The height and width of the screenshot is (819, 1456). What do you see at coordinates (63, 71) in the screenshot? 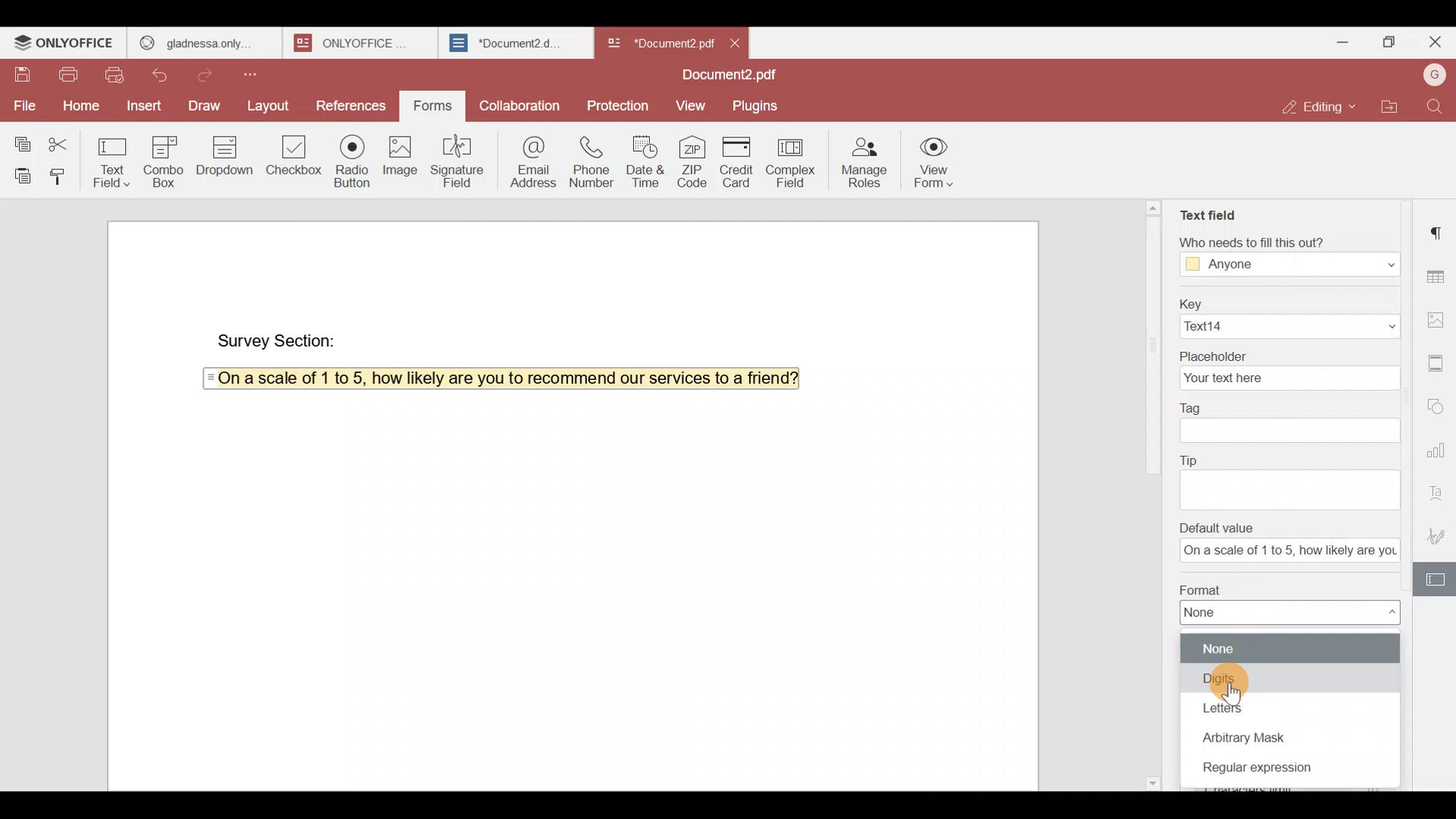
I see `Print file` at bounding box center [63, 71].